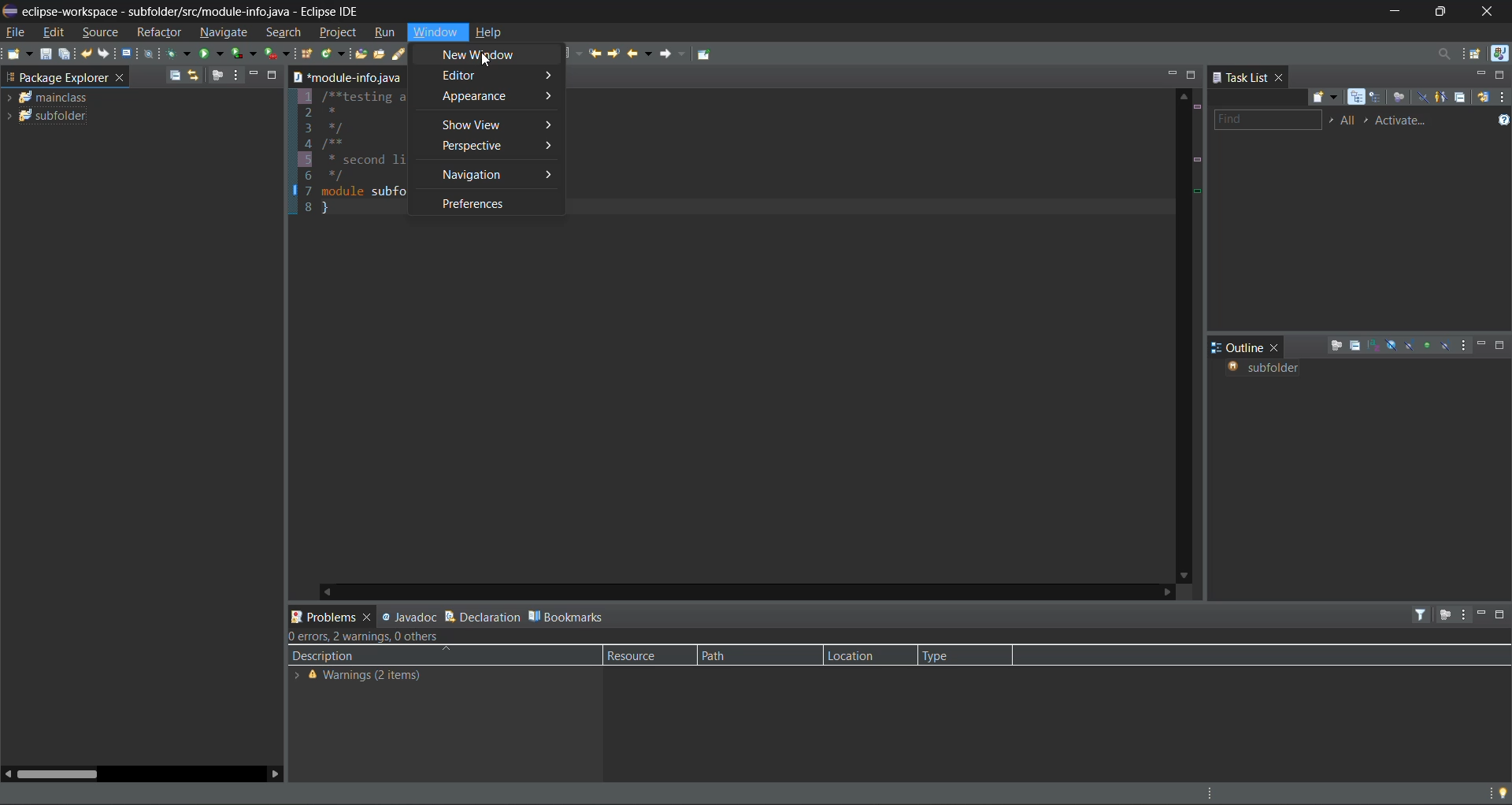 This screenshot has width=1512, height=805. Describe the element at coordinates (501, 176) in the screenshot. I see `navigation` at that location.